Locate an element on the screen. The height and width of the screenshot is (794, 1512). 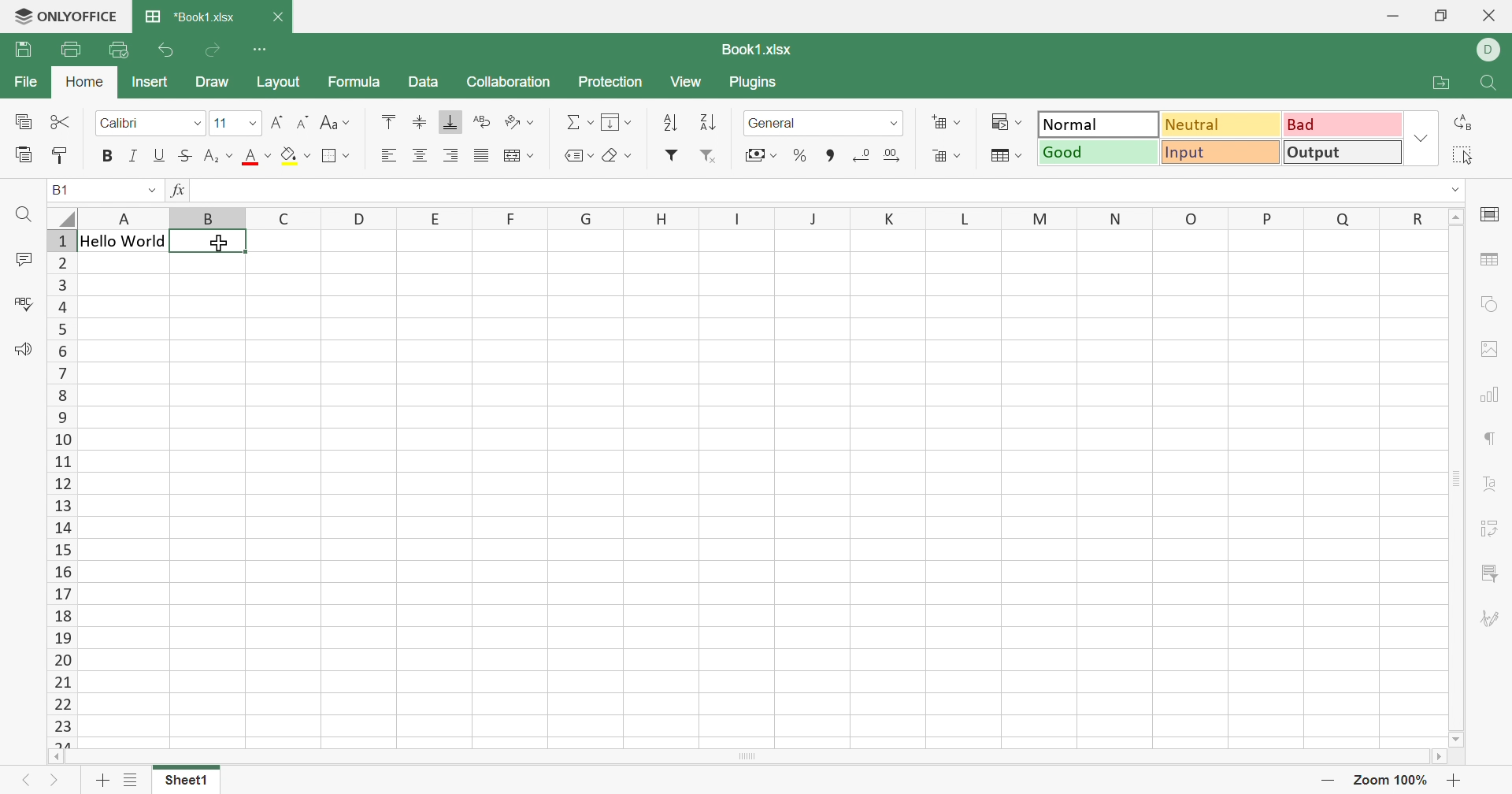
Drop down is located at coordinates (1423, 139).